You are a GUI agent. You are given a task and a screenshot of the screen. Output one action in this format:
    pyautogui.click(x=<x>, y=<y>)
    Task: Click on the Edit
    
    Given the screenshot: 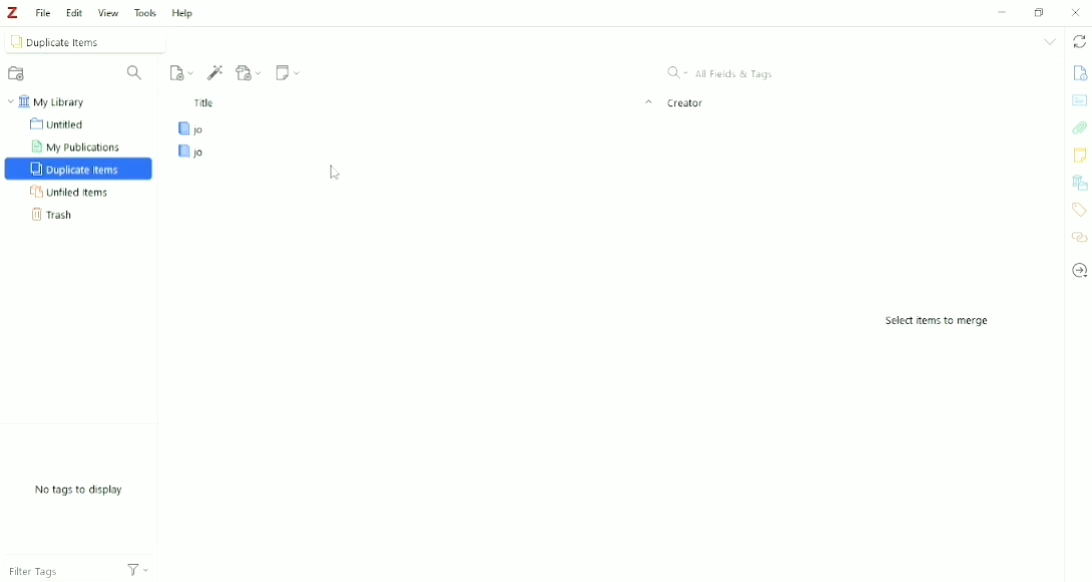 What is the action you would take?
    pyautogui.click(x=74, y=12)
    